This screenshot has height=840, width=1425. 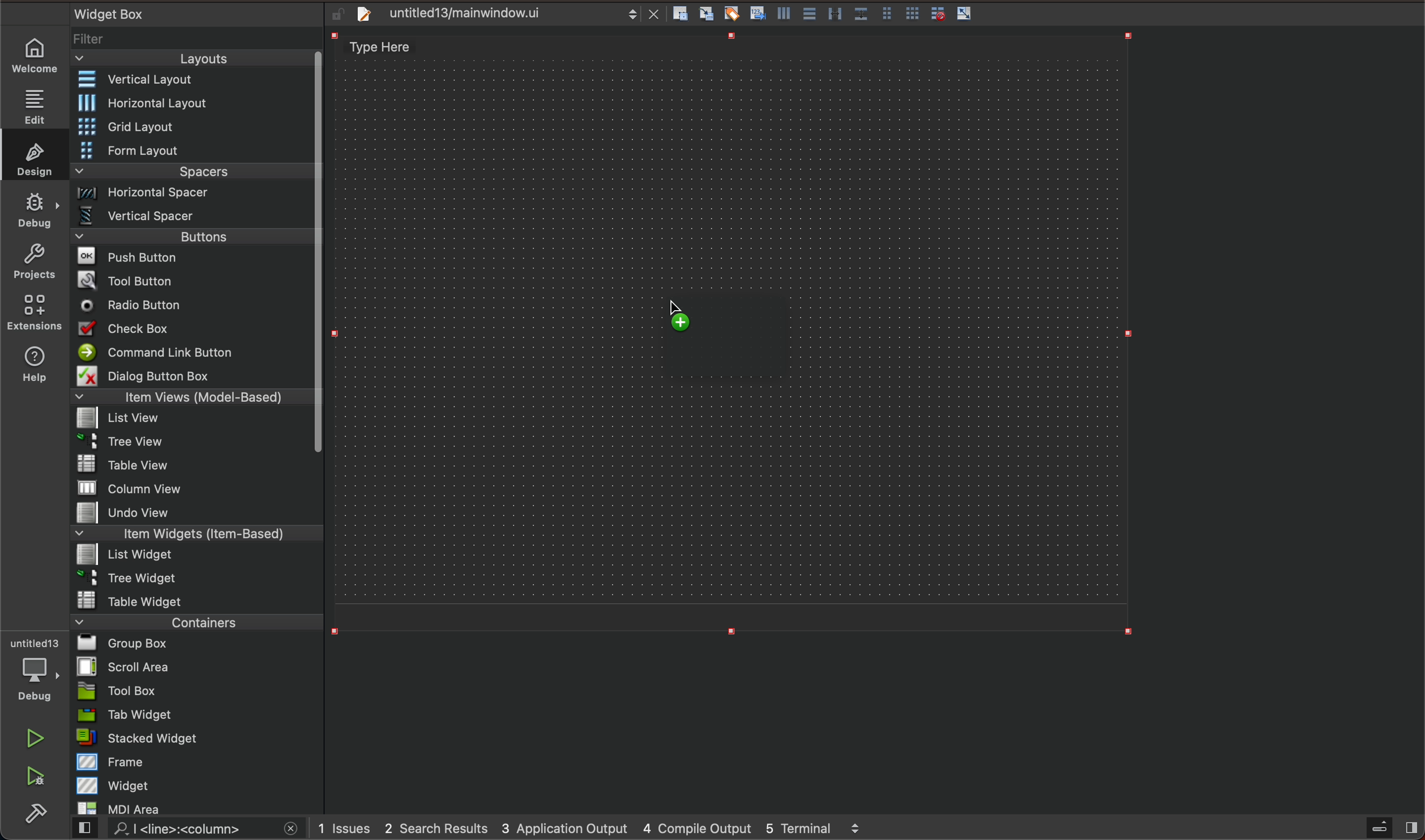 I want to click on Horizontal, so click(x=810, y=14).